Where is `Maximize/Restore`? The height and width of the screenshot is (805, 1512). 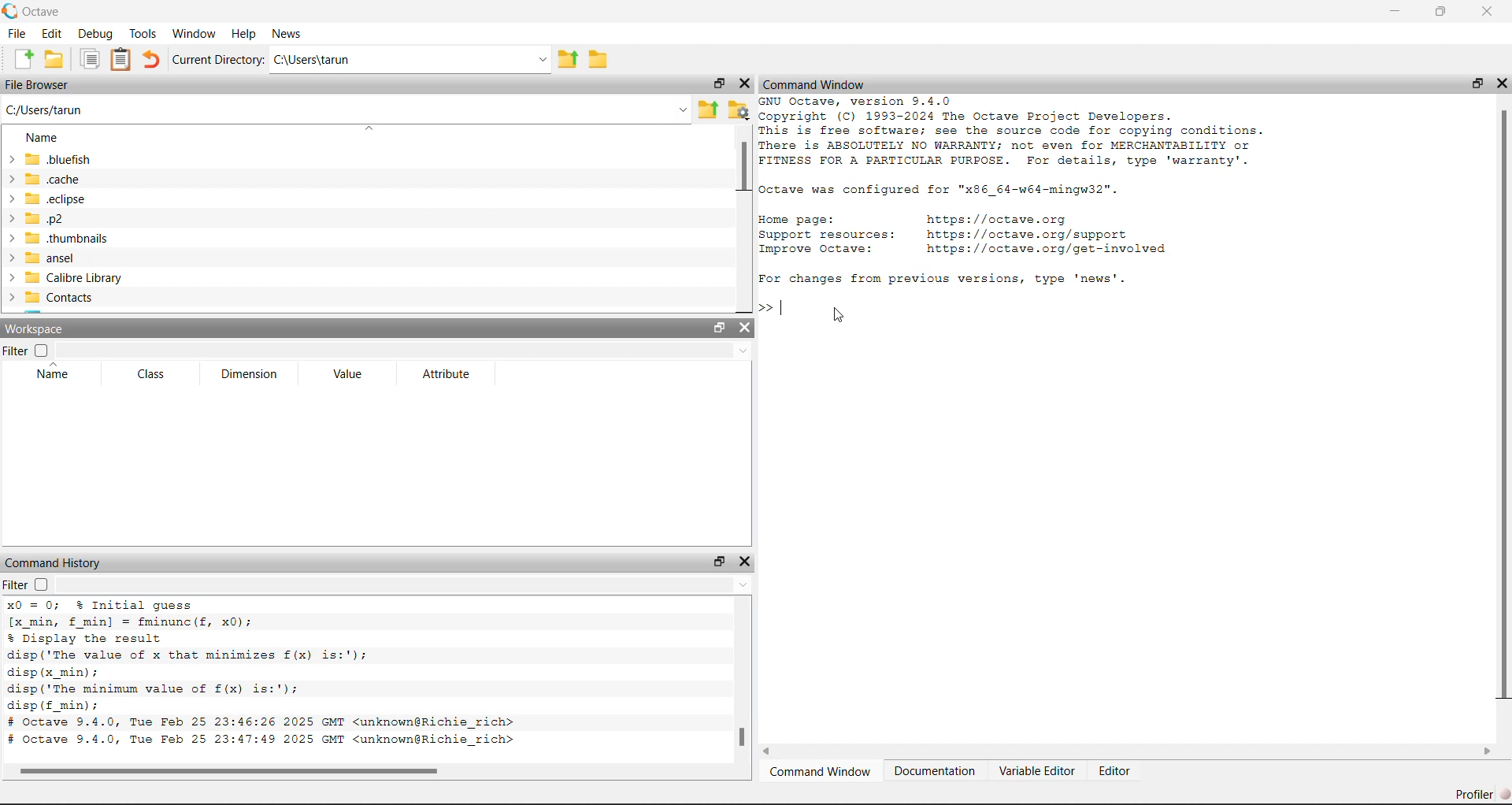
Maximize/Restore is located at coordinates (719, 327).